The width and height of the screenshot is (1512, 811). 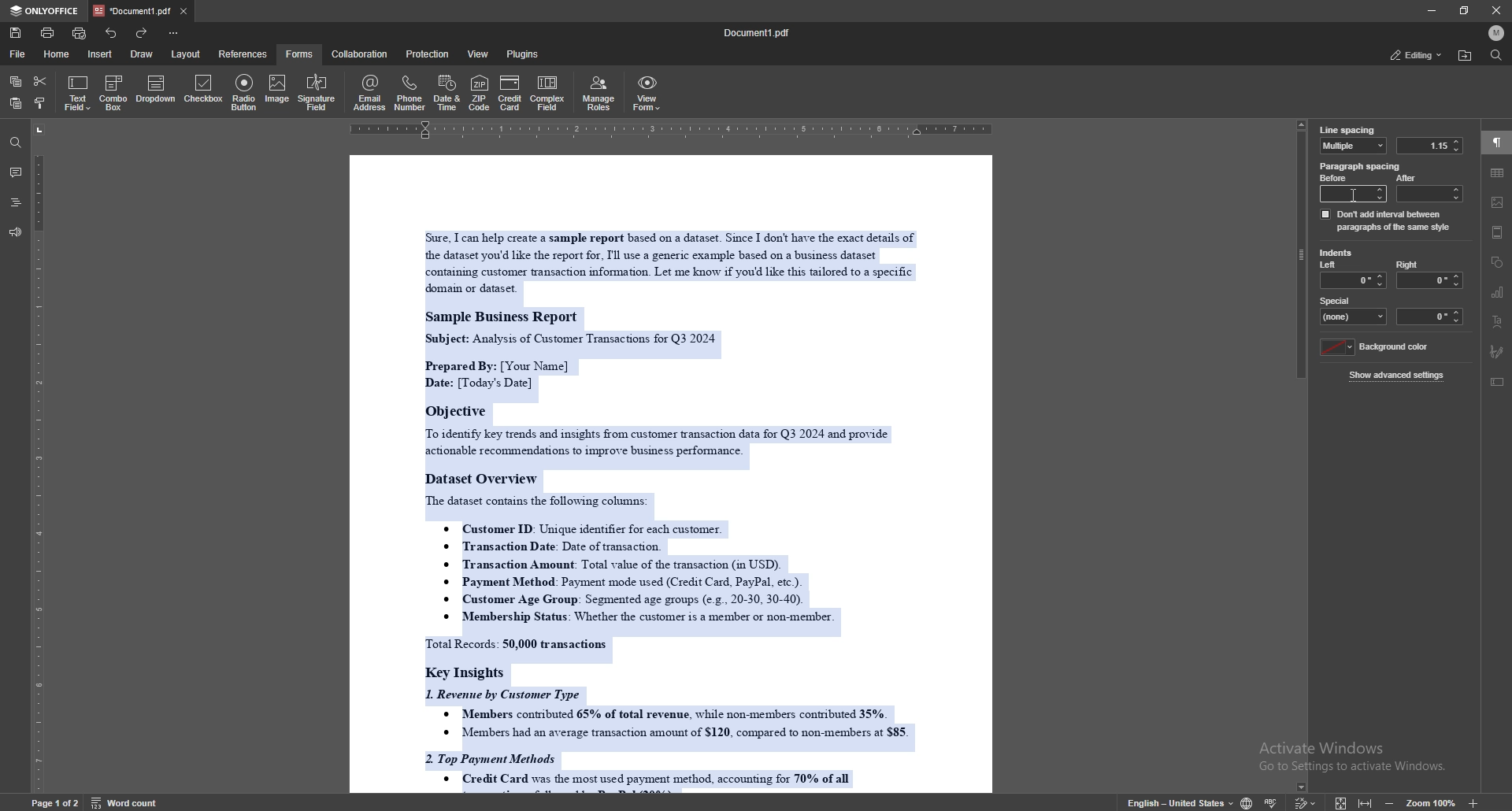 I want to click on redo, so click(x=140, y=33).